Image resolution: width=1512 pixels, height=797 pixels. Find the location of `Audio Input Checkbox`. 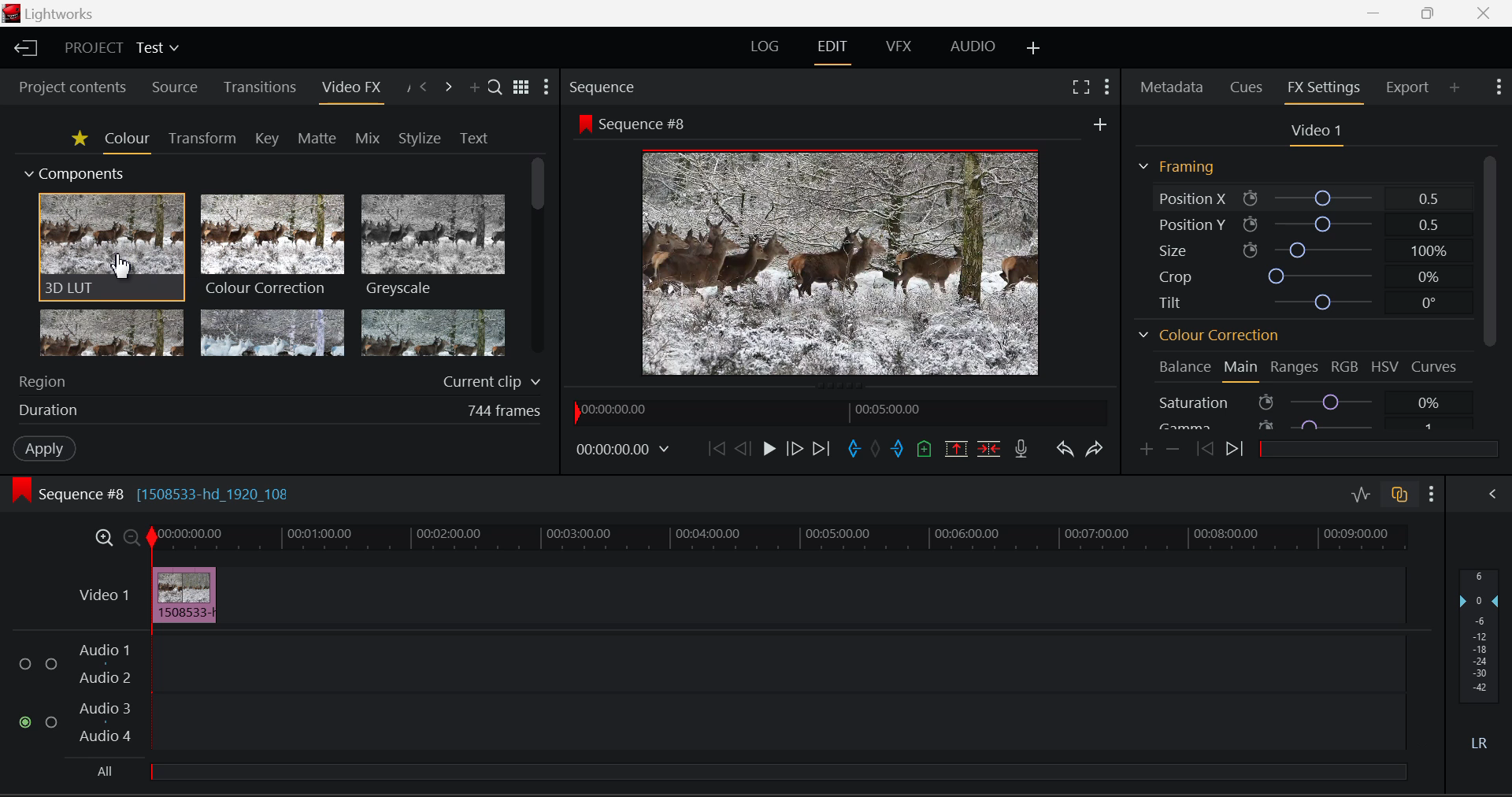

Audio Input Checkbox is located at coordinates (52, 720).